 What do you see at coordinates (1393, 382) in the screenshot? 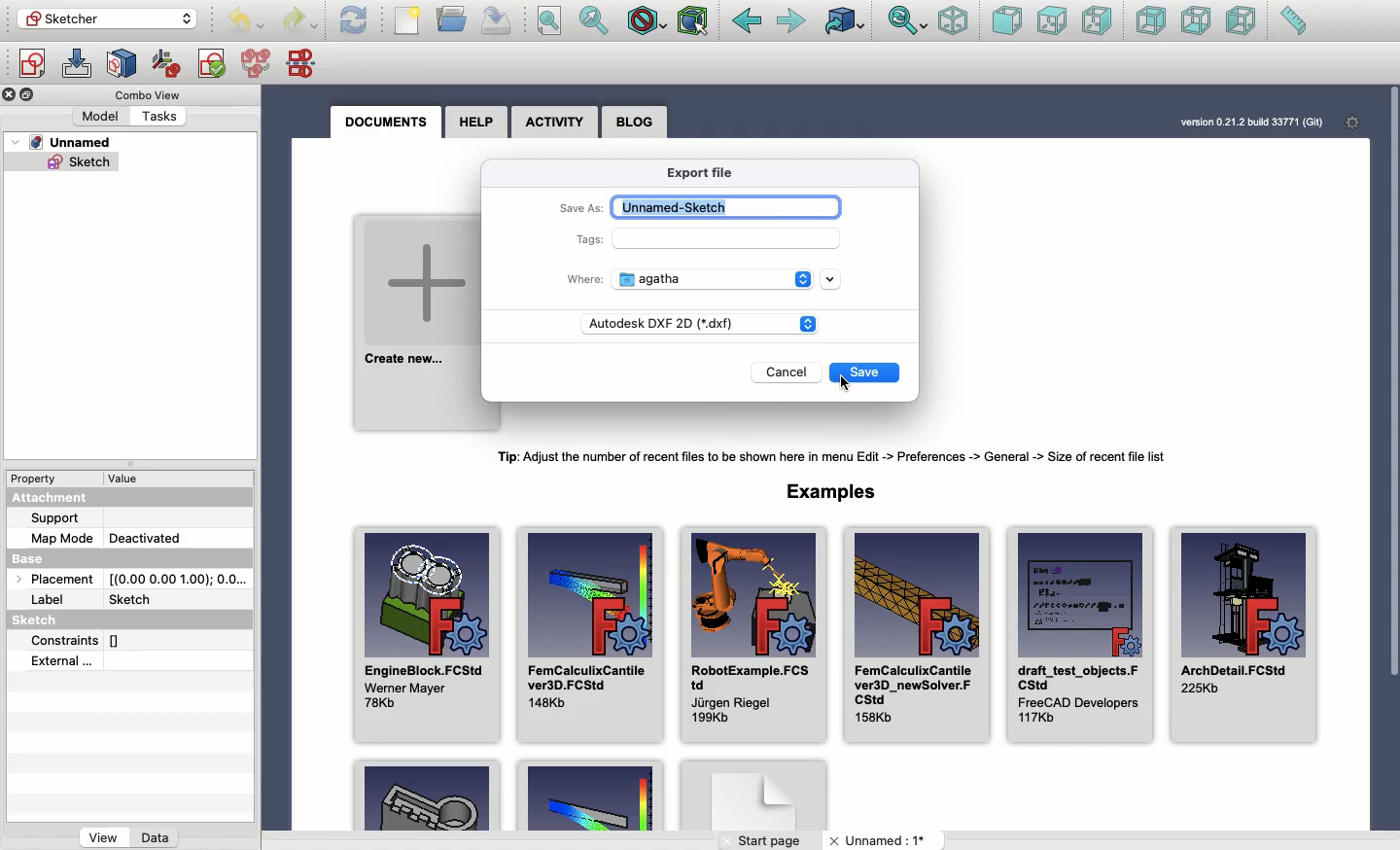
I see `Scroll` at bounding box center [1393, 382].